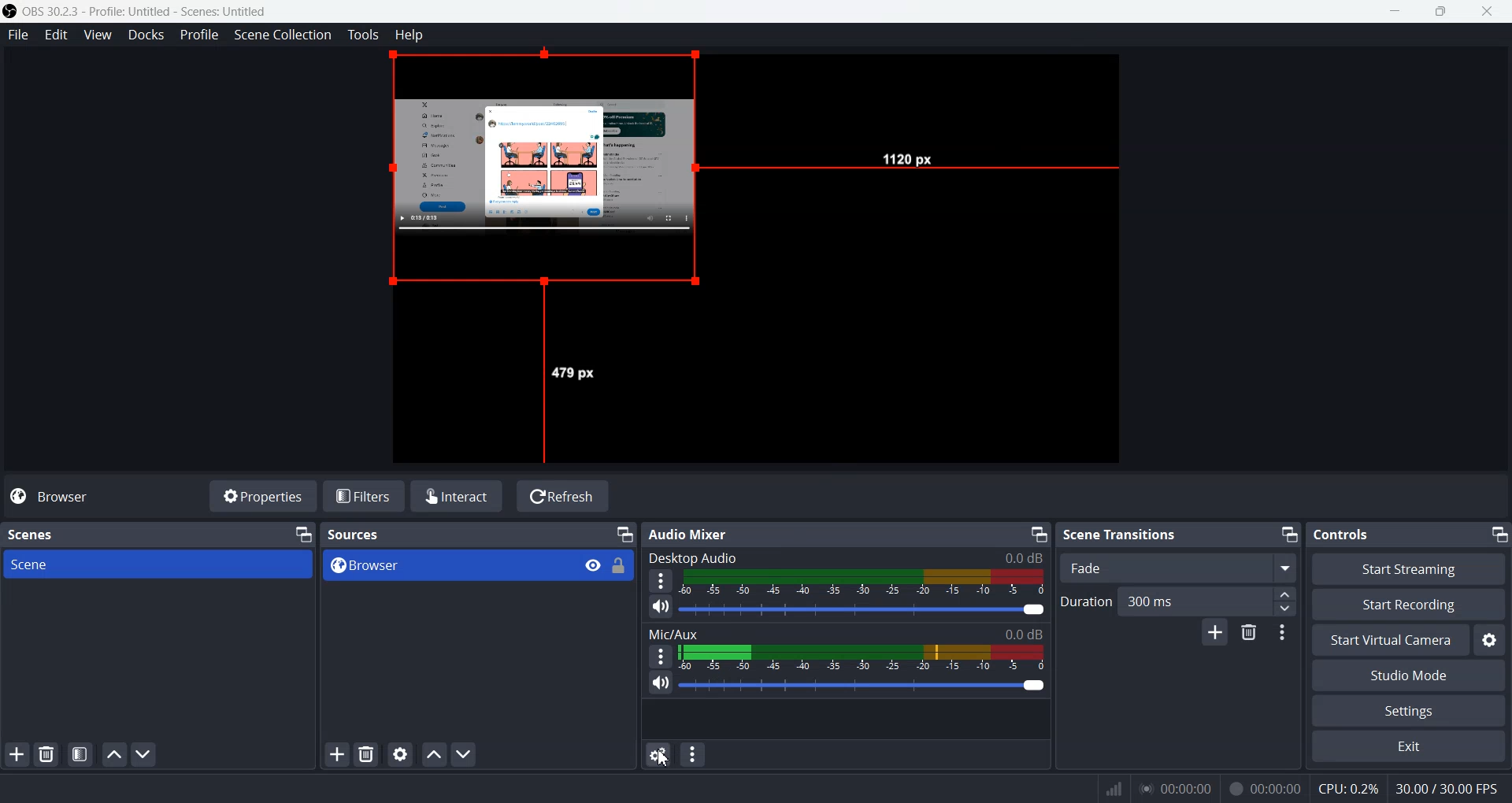 This screenshot has height=803, width=1512. Describe the element at coordinates (1266, 786) in the screenshot. I see `00:00:00` at that location.